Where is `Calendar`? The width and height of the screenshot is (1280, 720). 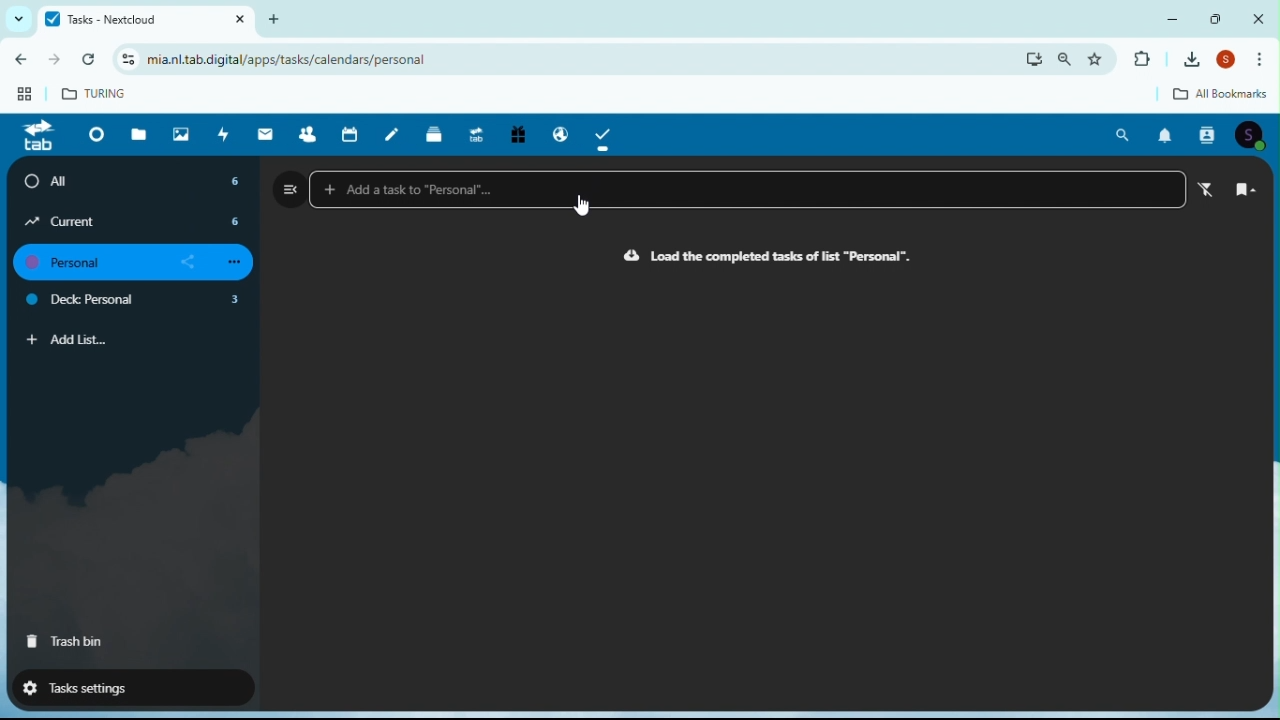
Calendar is located at coordinates (353, 134).